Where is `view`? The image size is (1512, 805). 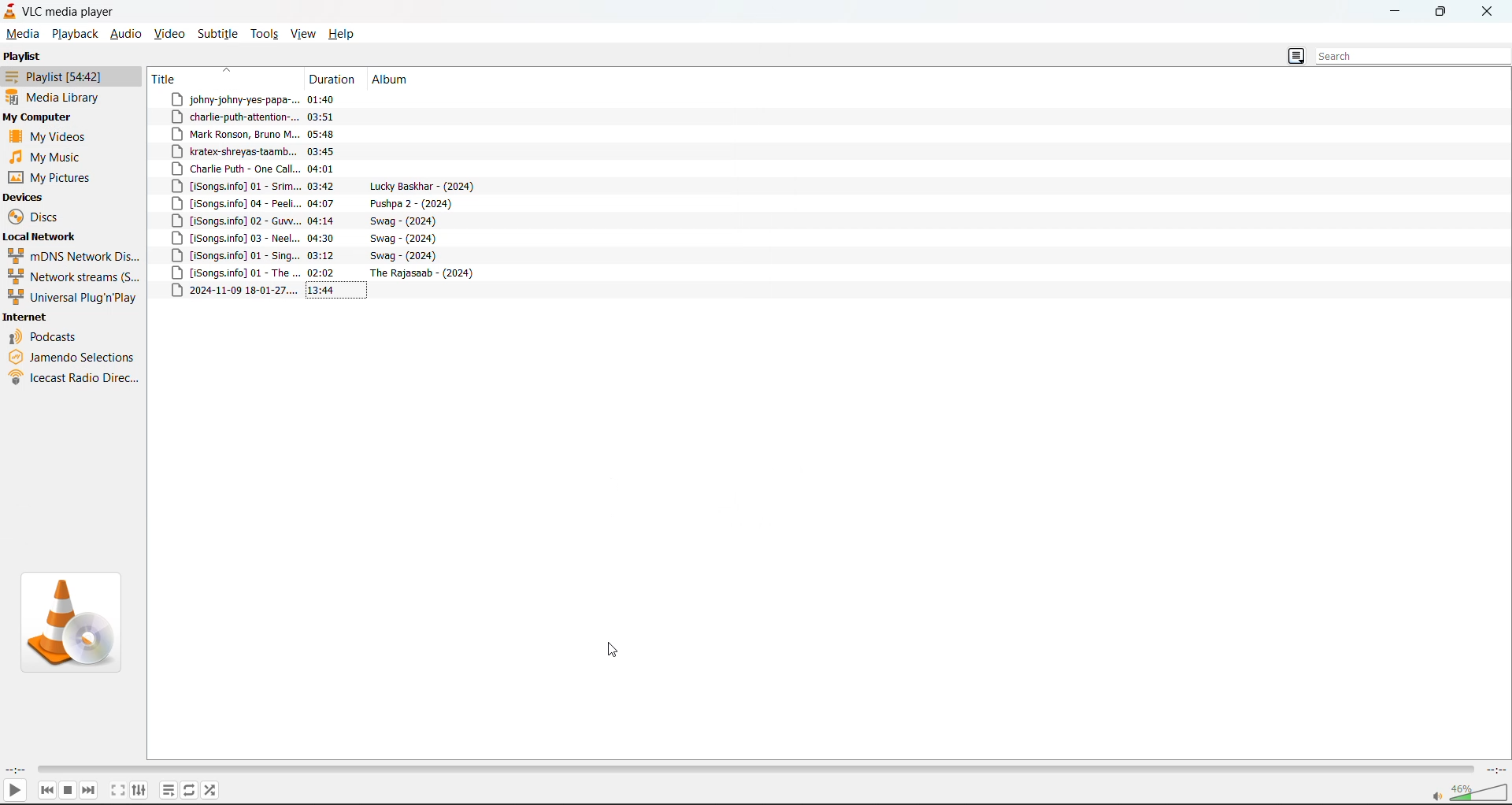
view is located at coordinates (305, 33).